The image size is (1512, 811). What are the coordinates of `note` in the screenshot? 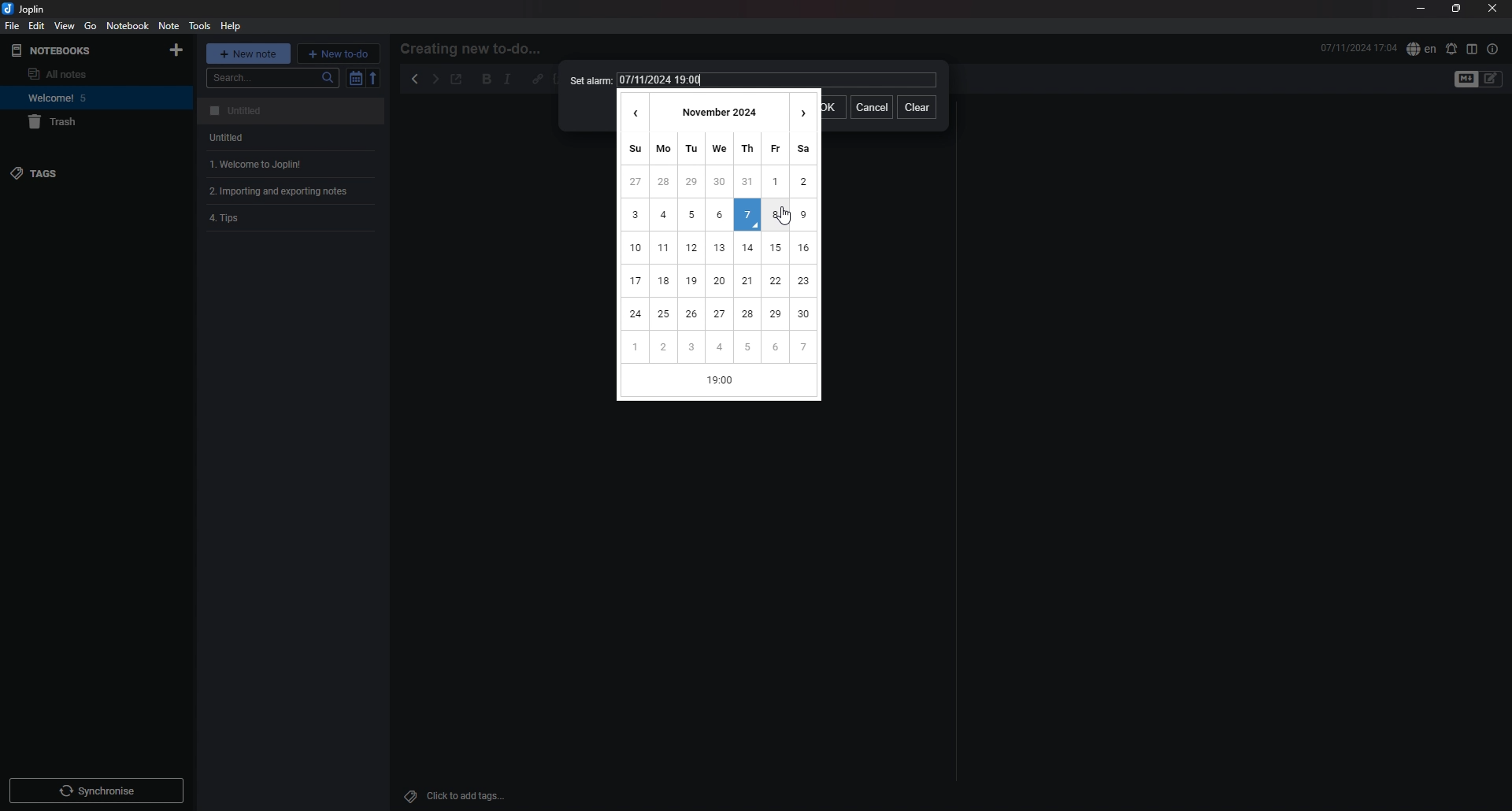 It's located at (291, 191).